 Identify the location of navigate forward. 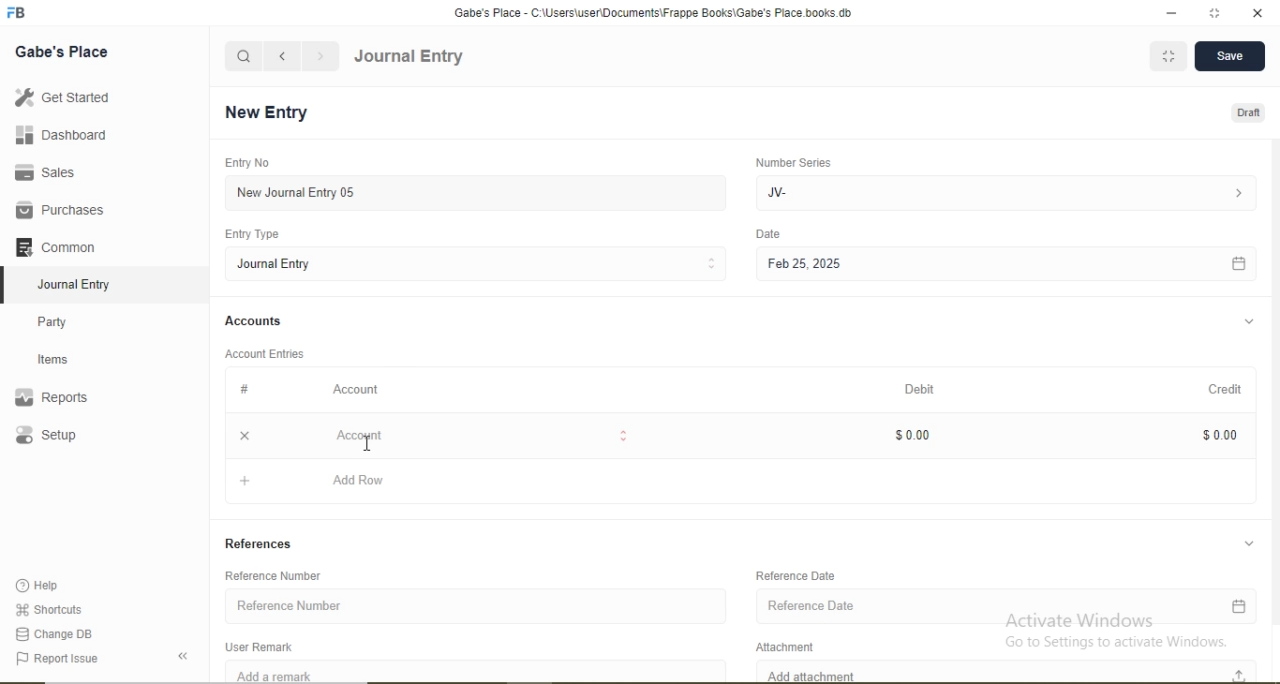
(322, 56).